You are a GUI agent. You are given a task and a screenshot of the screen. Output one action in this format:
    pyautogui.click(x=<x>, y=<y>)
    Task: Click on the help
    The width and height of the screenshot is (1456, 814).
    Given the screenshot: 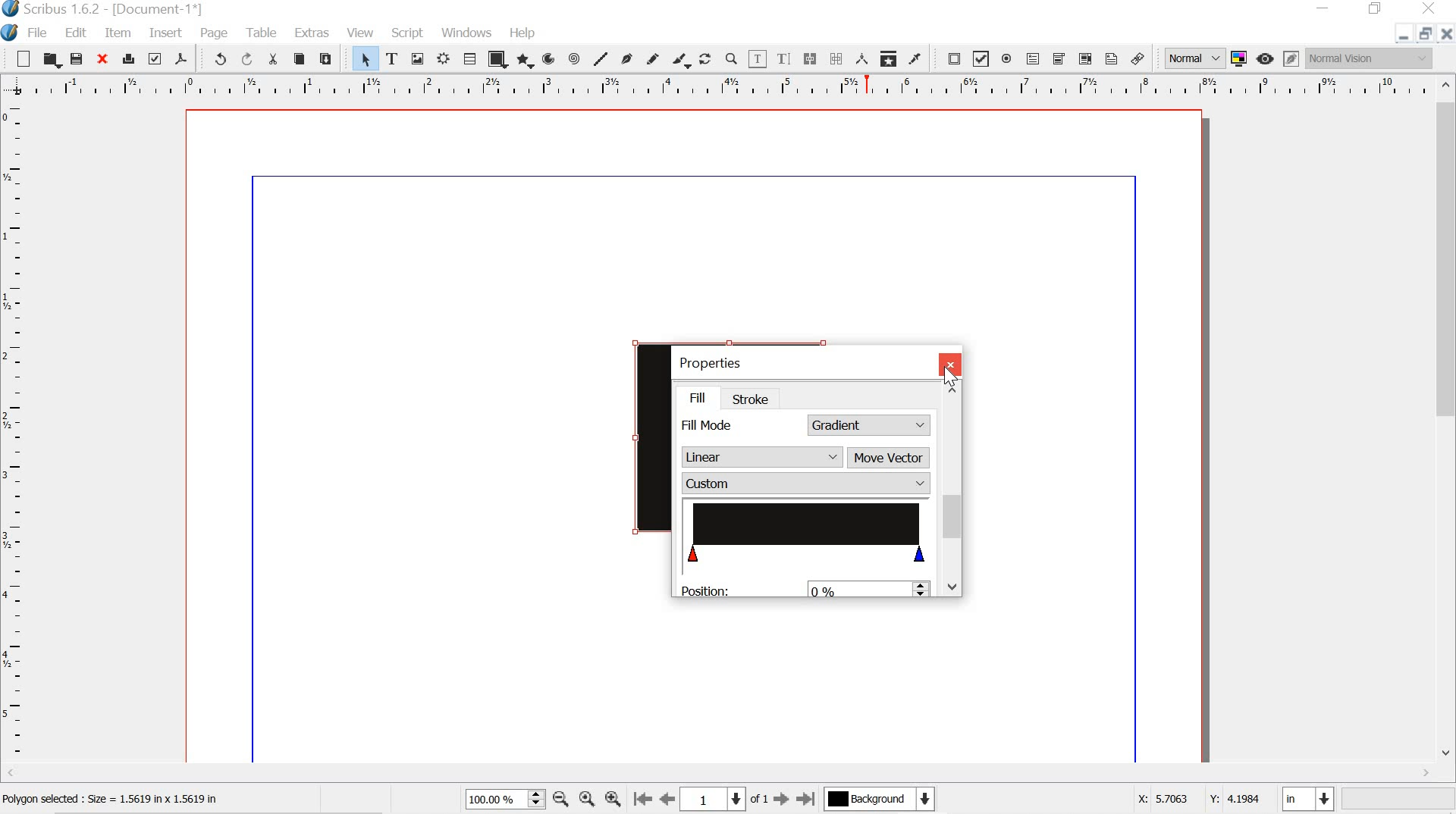 What is the action you would take?
    pyautogui.click(x=520, y=31)
    